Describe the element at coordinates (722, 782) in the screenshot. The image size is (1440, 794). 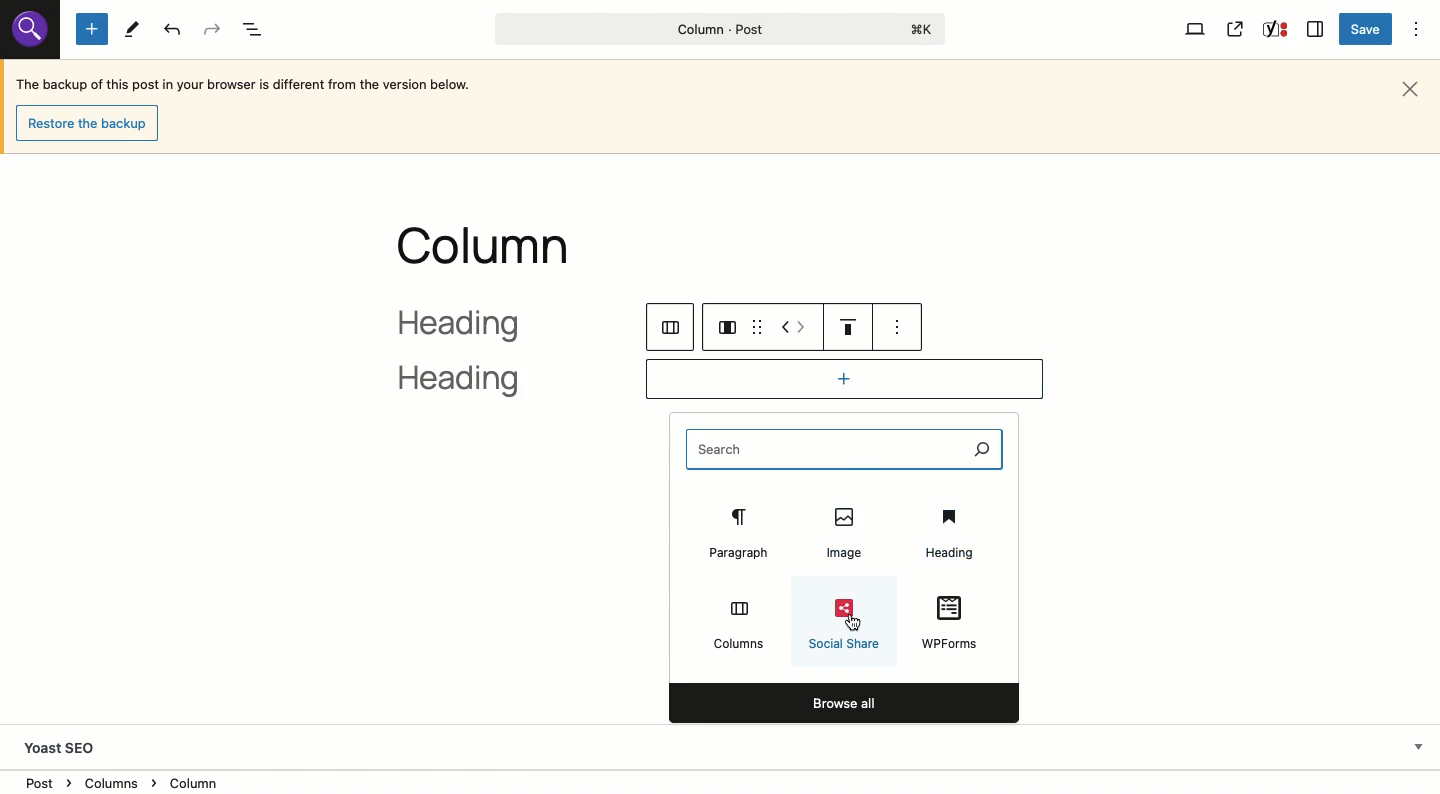
I see `Location` at that location.